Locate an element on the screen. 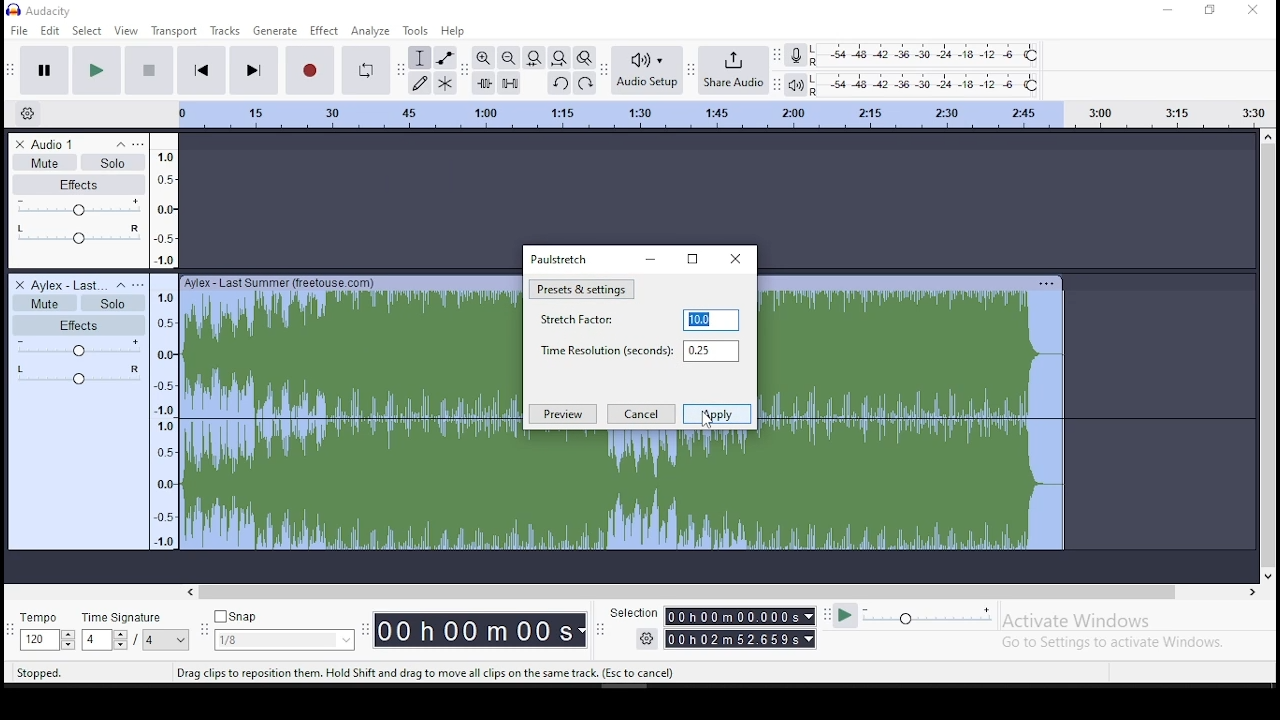 The height and width of the screenshot is (720, 1280). snap is located at coordinates (286, 631).